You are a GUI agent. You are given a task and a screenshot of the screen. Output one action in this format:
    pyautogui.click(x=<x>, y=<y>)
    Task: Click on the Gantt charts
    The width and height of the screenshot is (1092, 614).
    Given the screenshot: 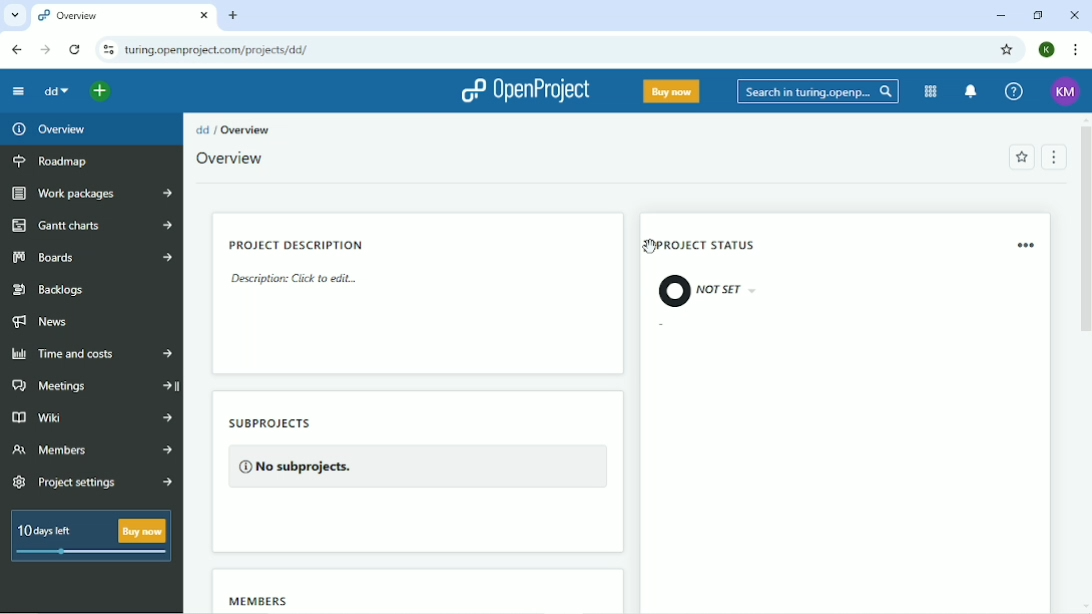 What is the action you would take?
    pyautogui.click(x=90, y=227)
    